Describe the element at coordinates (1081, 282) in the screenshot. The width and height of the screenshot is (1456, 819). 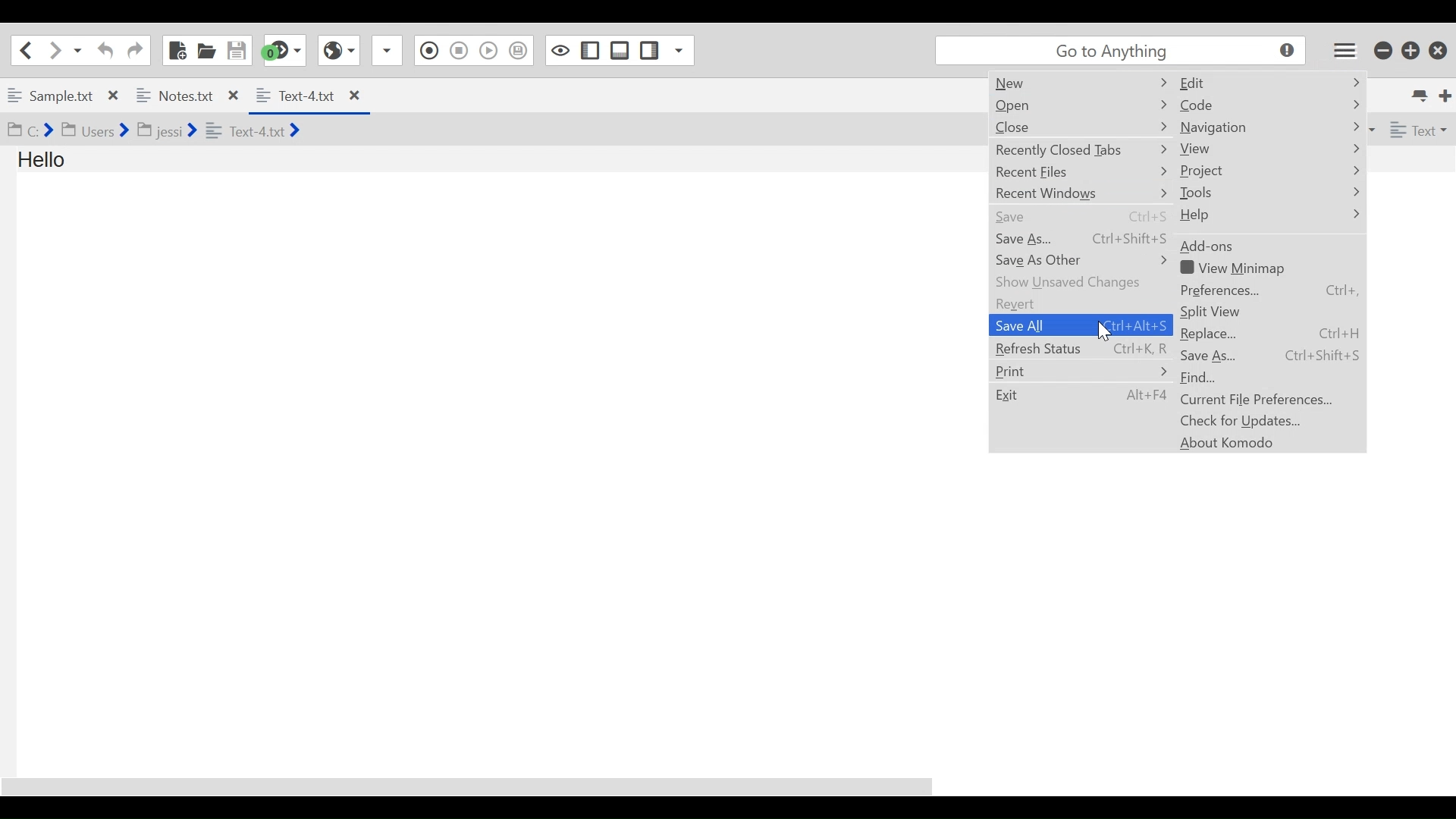
I see `Show unsaved Changes` at that location.